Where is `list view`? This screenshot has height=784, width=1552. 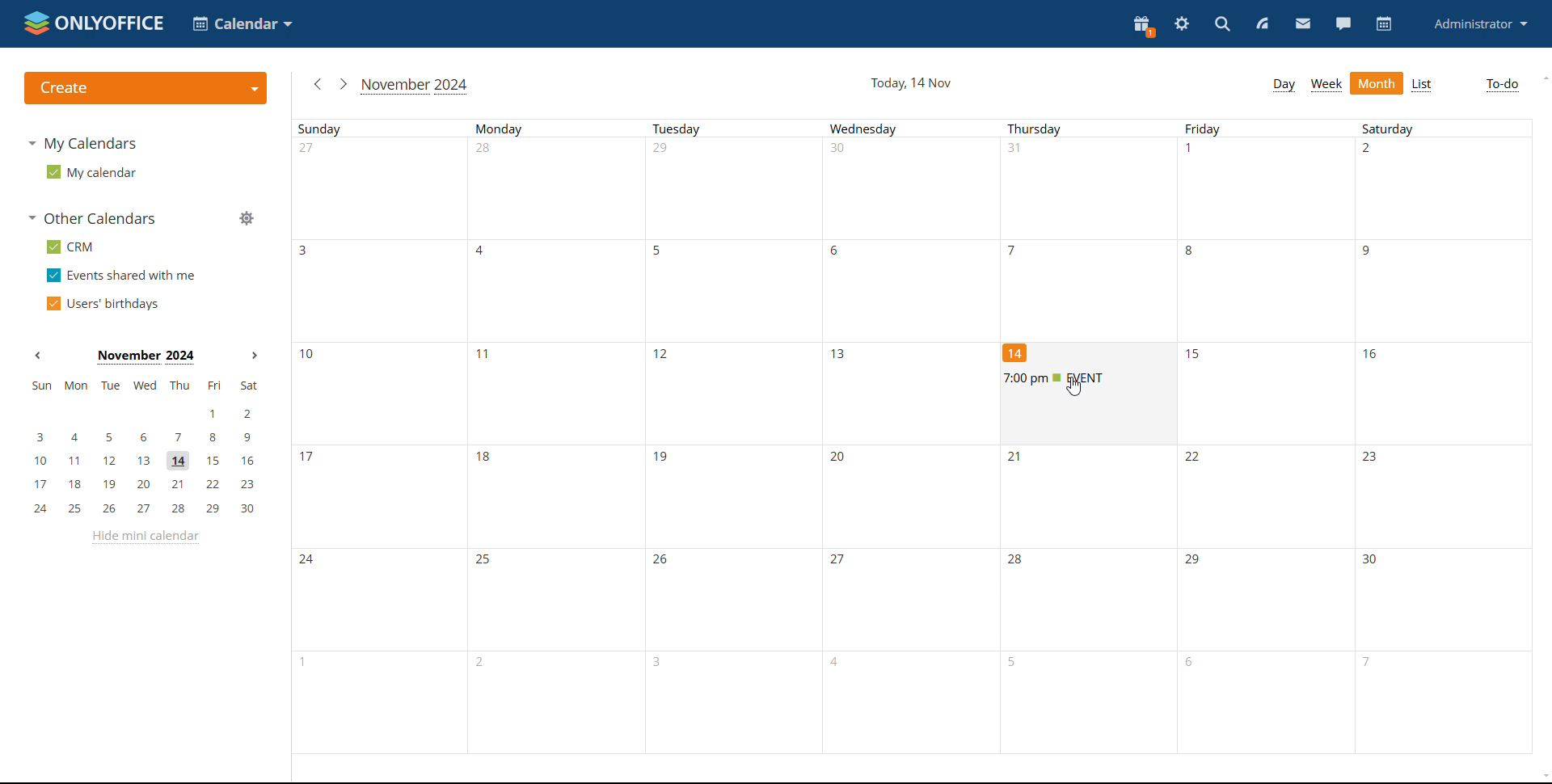
list view is located at coordinates (1423, 85).